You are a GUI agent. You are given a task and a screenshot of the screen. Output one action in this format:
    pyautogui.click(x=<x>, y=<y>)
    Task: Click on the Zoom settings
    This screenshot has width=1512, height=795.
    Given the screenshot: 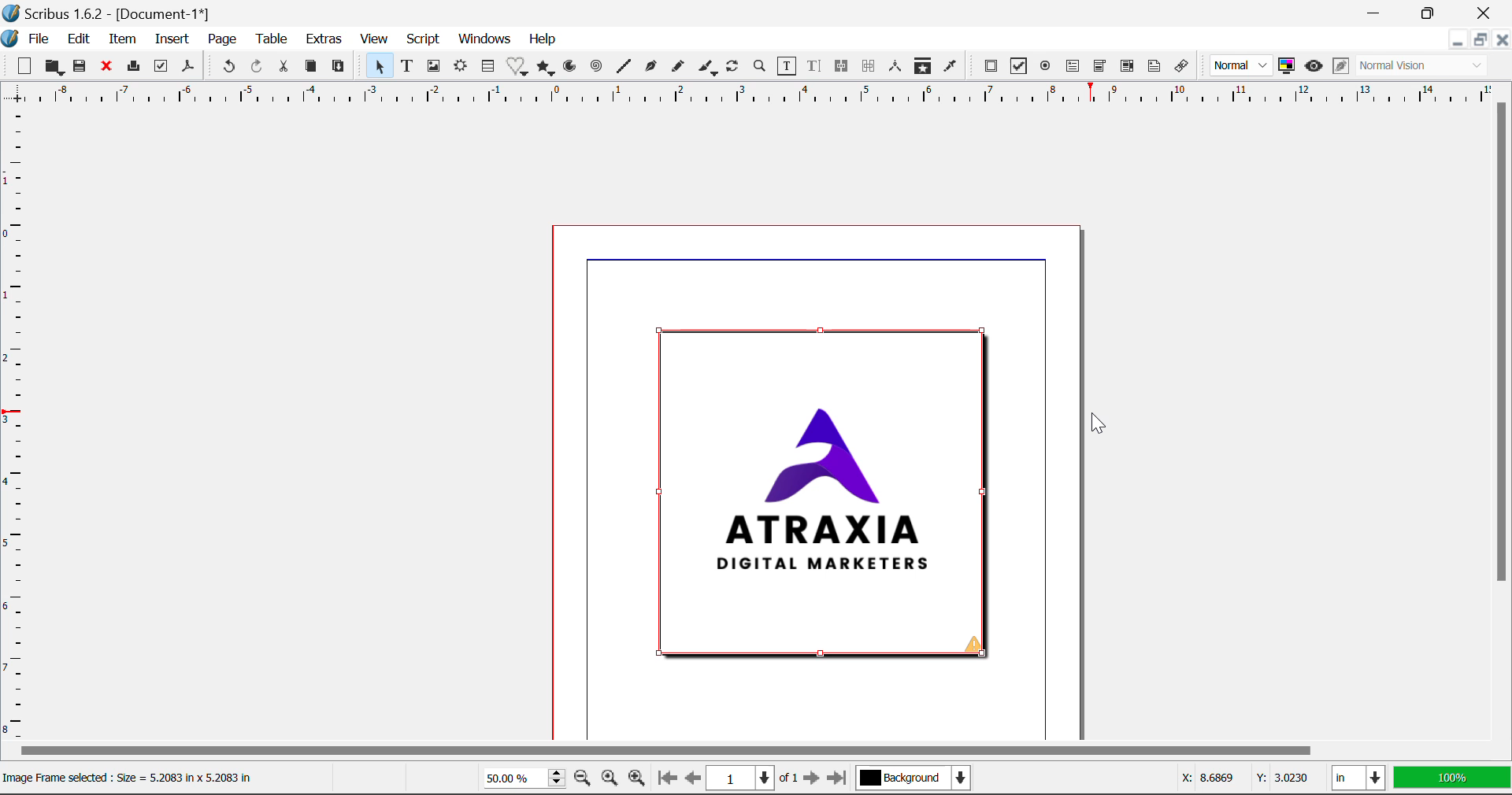 What is the action you would take?
    pyautogui.click(x=609, y=778)
    